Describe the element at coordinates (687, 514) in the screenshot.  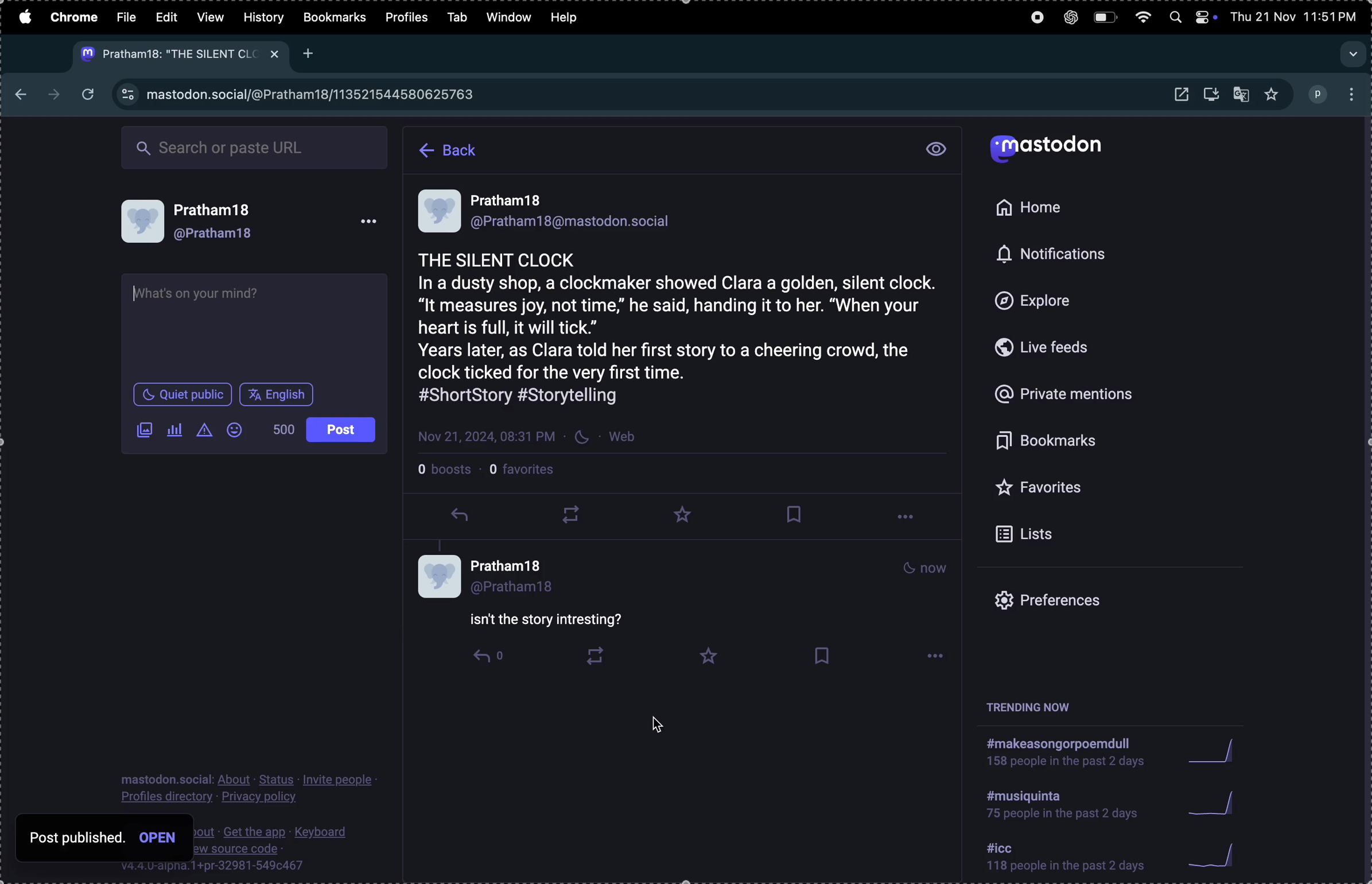
I see `favourites` at that location.